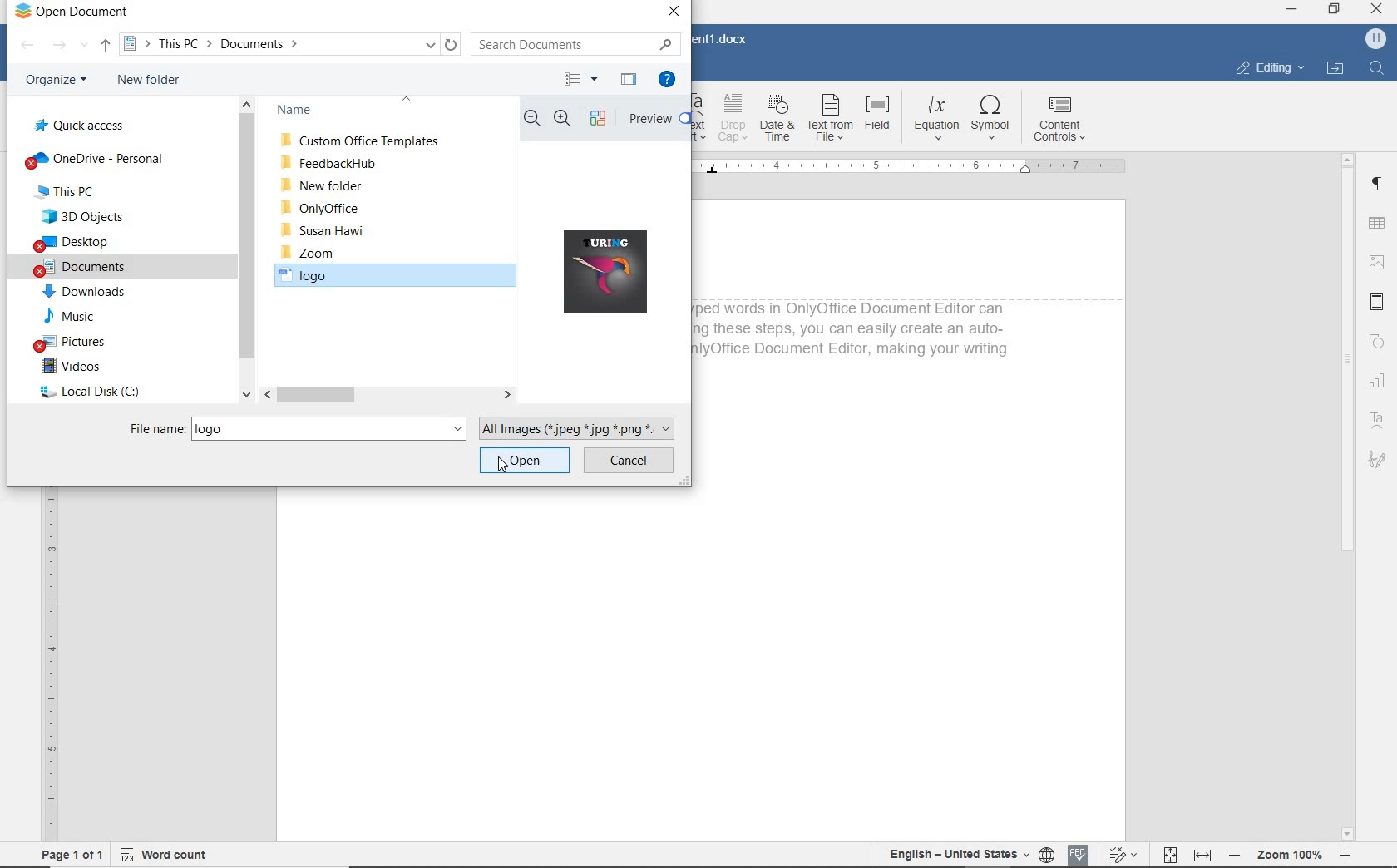 This screenshot has height=868, width=1397. What do you see at coordinates (1122, 854) in the screenshot?
I see `Track changes` at bounding box center [1122, 854].